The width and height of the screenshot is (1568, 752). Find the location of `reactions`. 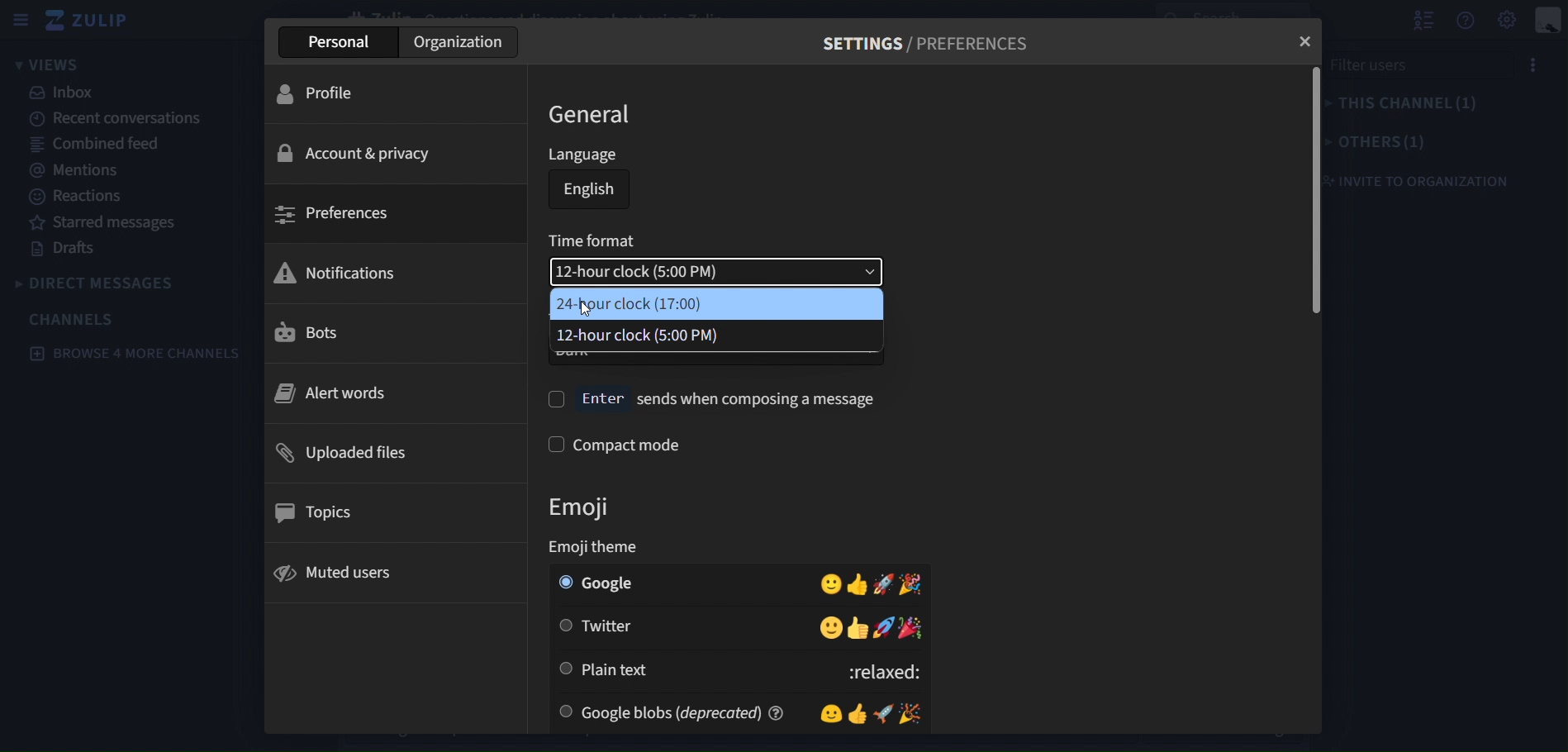

reactions is located at coordinates (74, 196).